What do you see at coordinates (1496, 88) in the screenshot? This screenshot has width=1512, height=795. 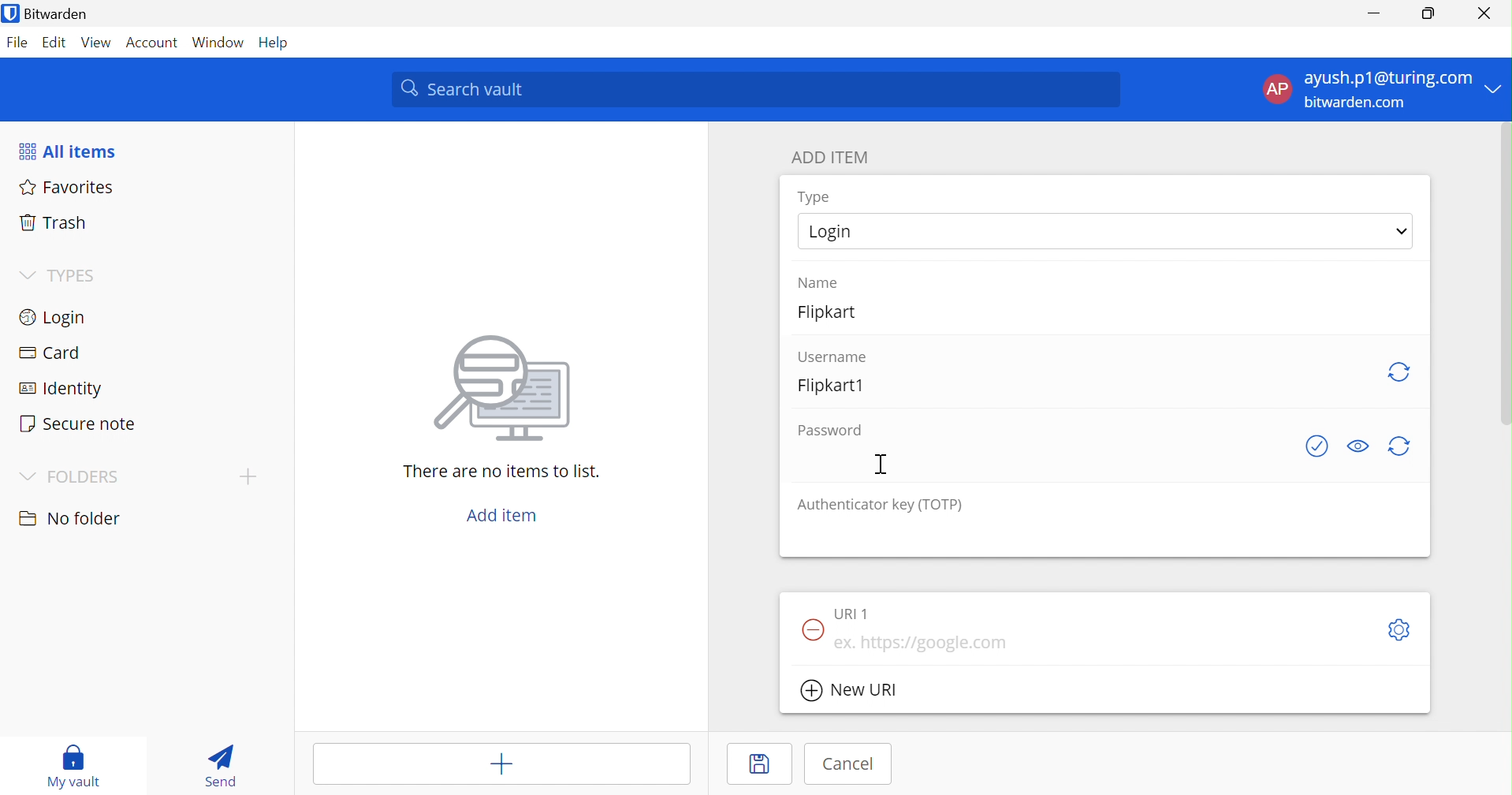 I see `Drop Down` at bounding box center [1496, 88].